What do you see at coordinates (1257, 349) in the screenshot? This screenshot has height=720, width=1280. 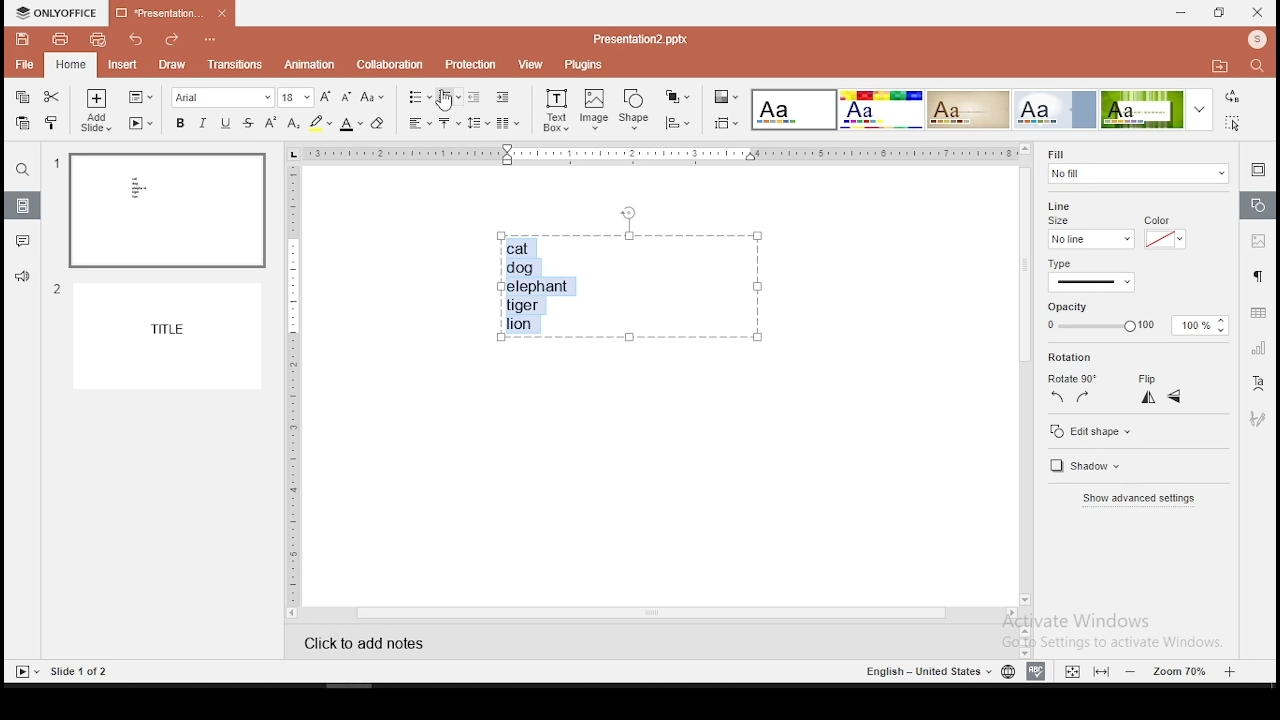 I see `chart settings` at bounding box center [1257, 349].